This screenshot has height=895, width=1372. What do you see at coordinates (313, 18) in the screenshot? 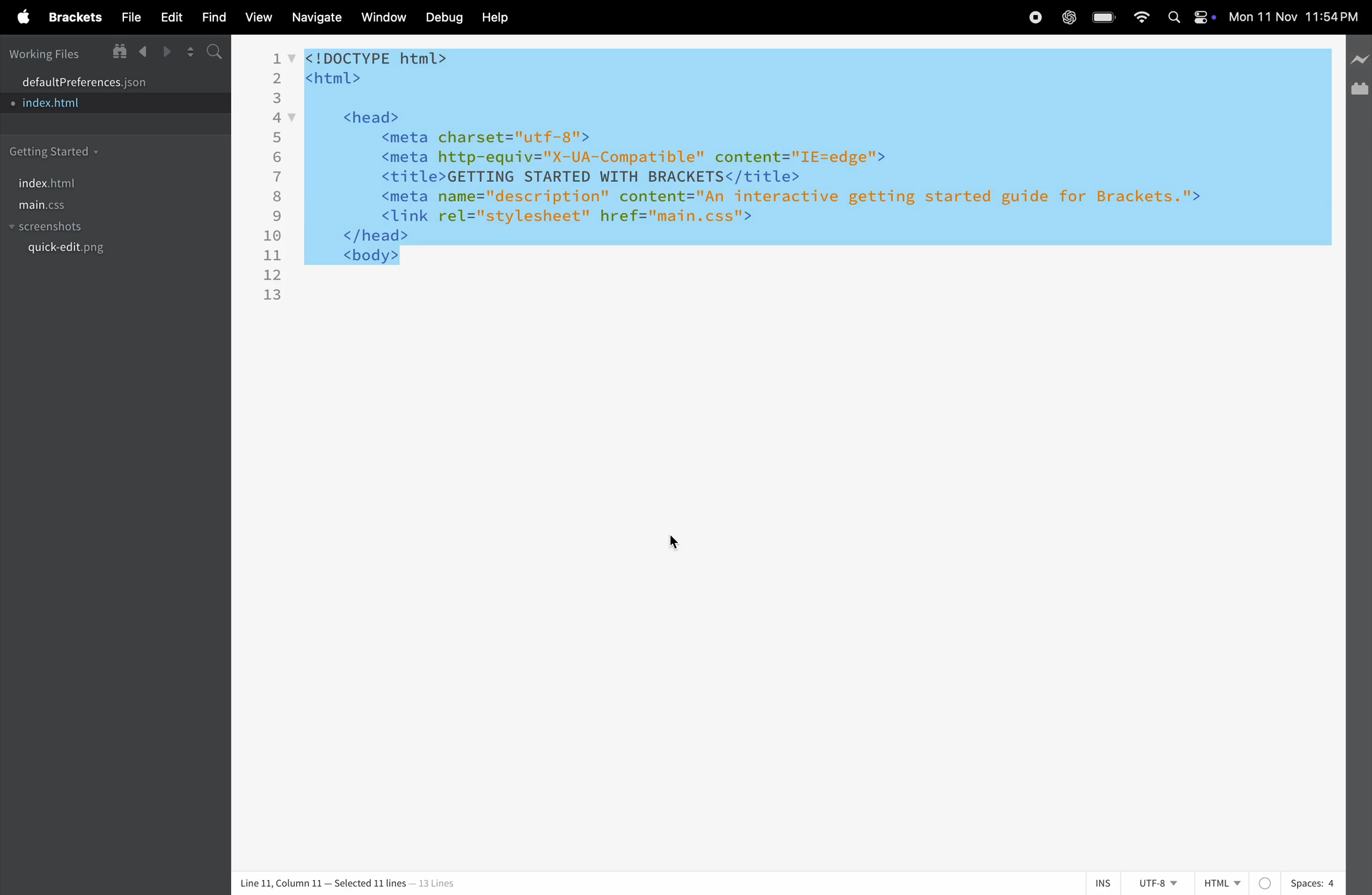
I see `navigate` at bounding box center [313, 18].